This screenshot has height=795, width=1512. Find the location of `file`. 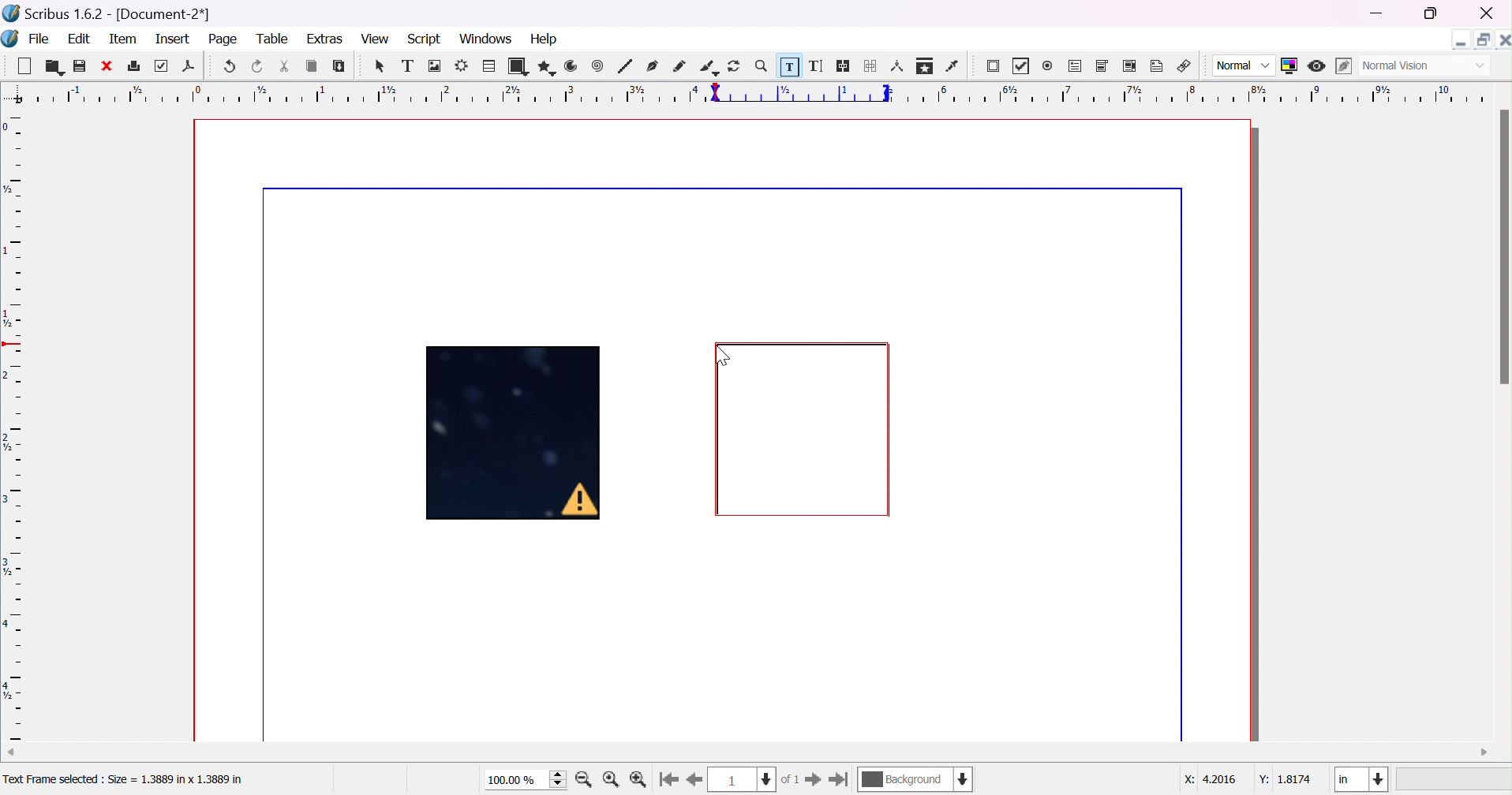

file is located at coordinates (39, 38).